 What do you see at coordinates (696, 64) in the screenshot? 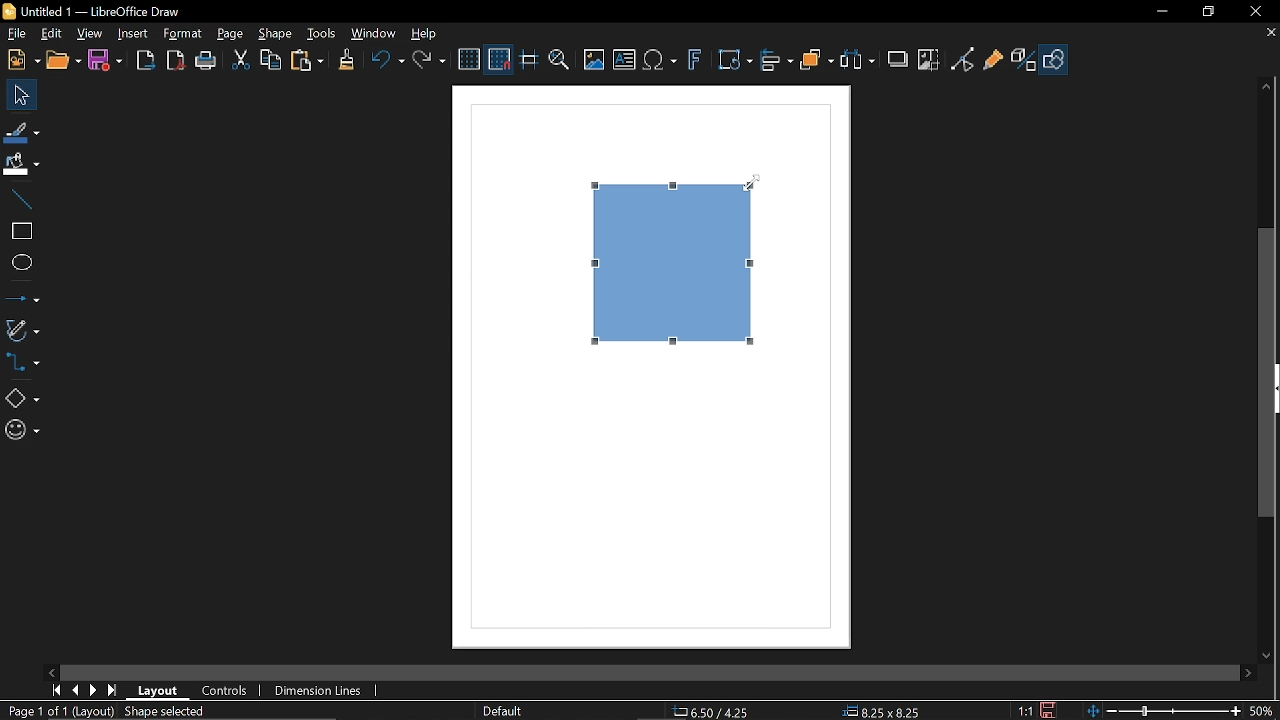
I see `Insert fontwork text` at bounding box center [696, 64].